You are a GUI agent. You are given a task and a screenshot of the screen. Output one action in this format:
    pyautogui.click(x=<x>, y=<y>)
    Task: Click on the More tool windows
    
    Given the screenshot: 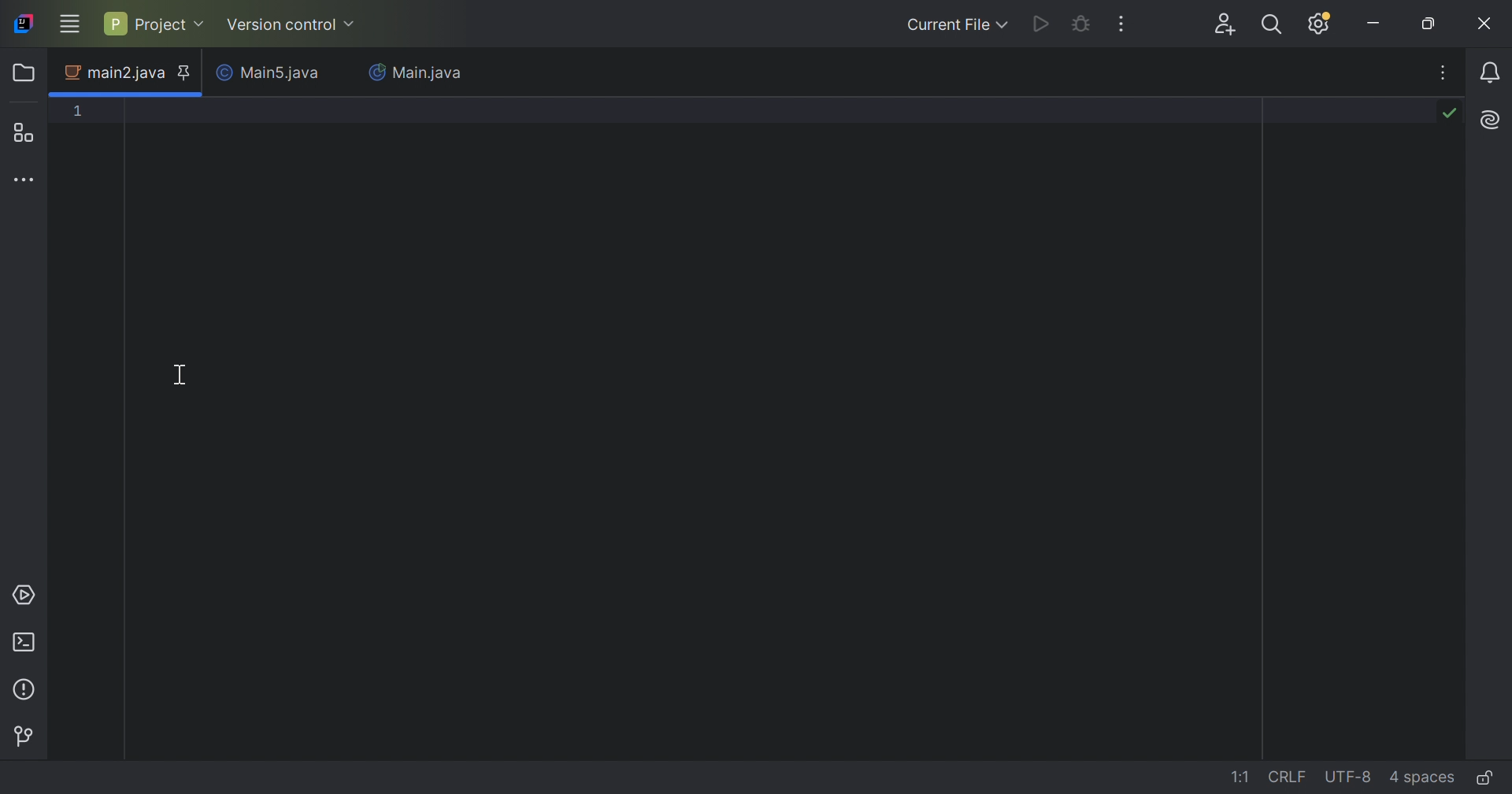 What is the action you would take?
    pyautogui.click(x=26, y=178)
    